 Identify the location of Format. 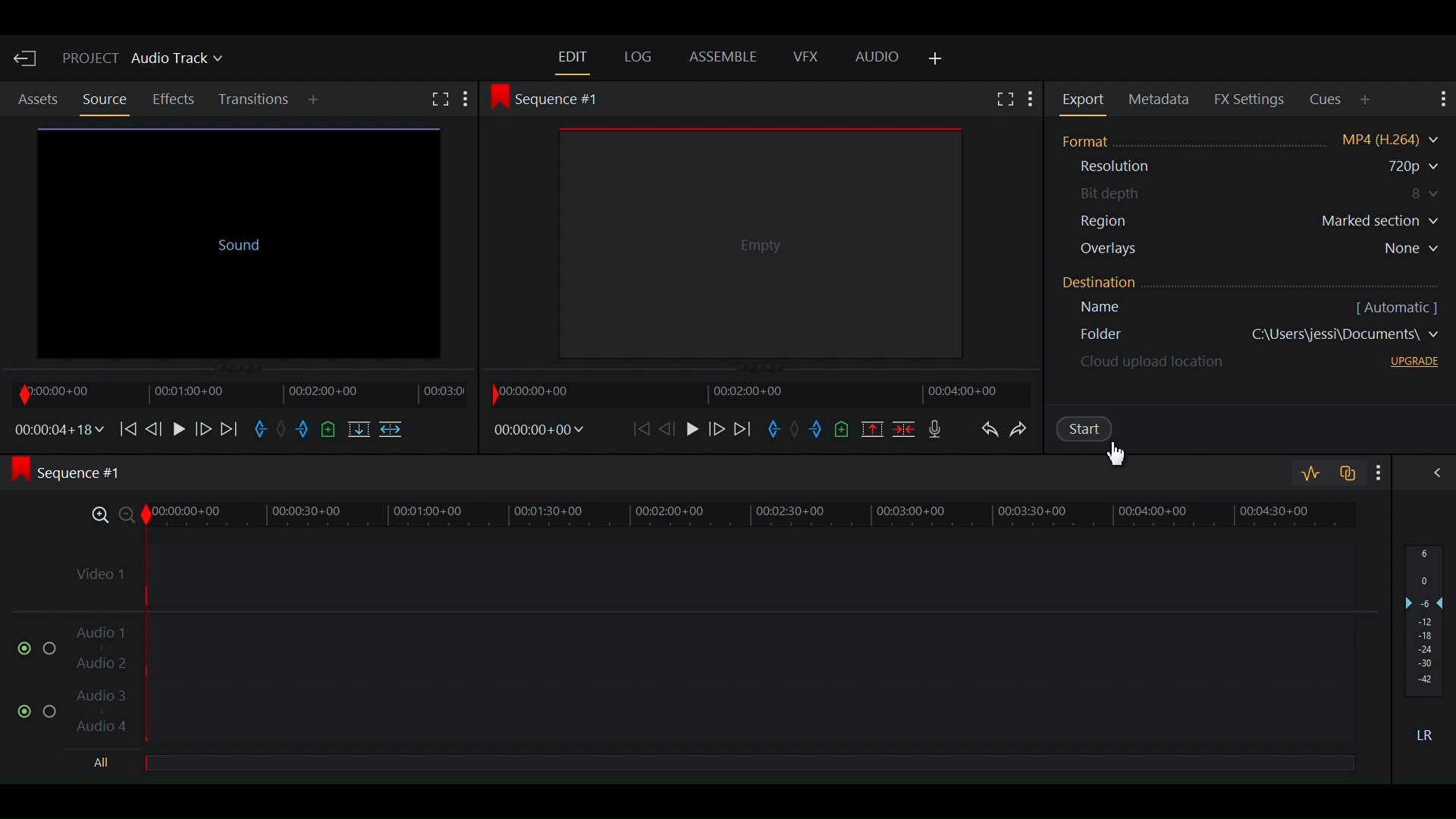
(1252, 138).